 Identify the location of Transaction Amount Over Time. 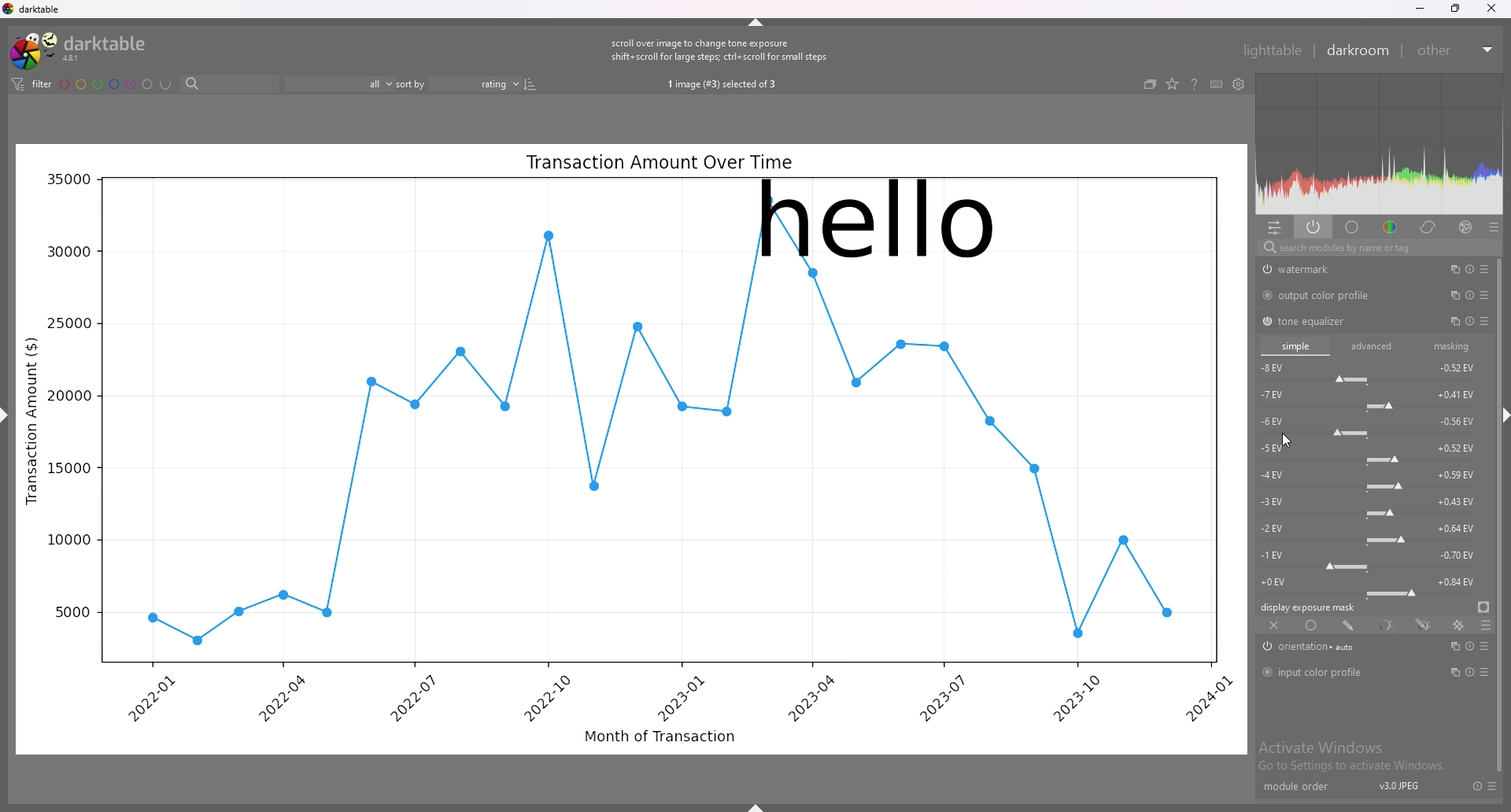
(659, 162).